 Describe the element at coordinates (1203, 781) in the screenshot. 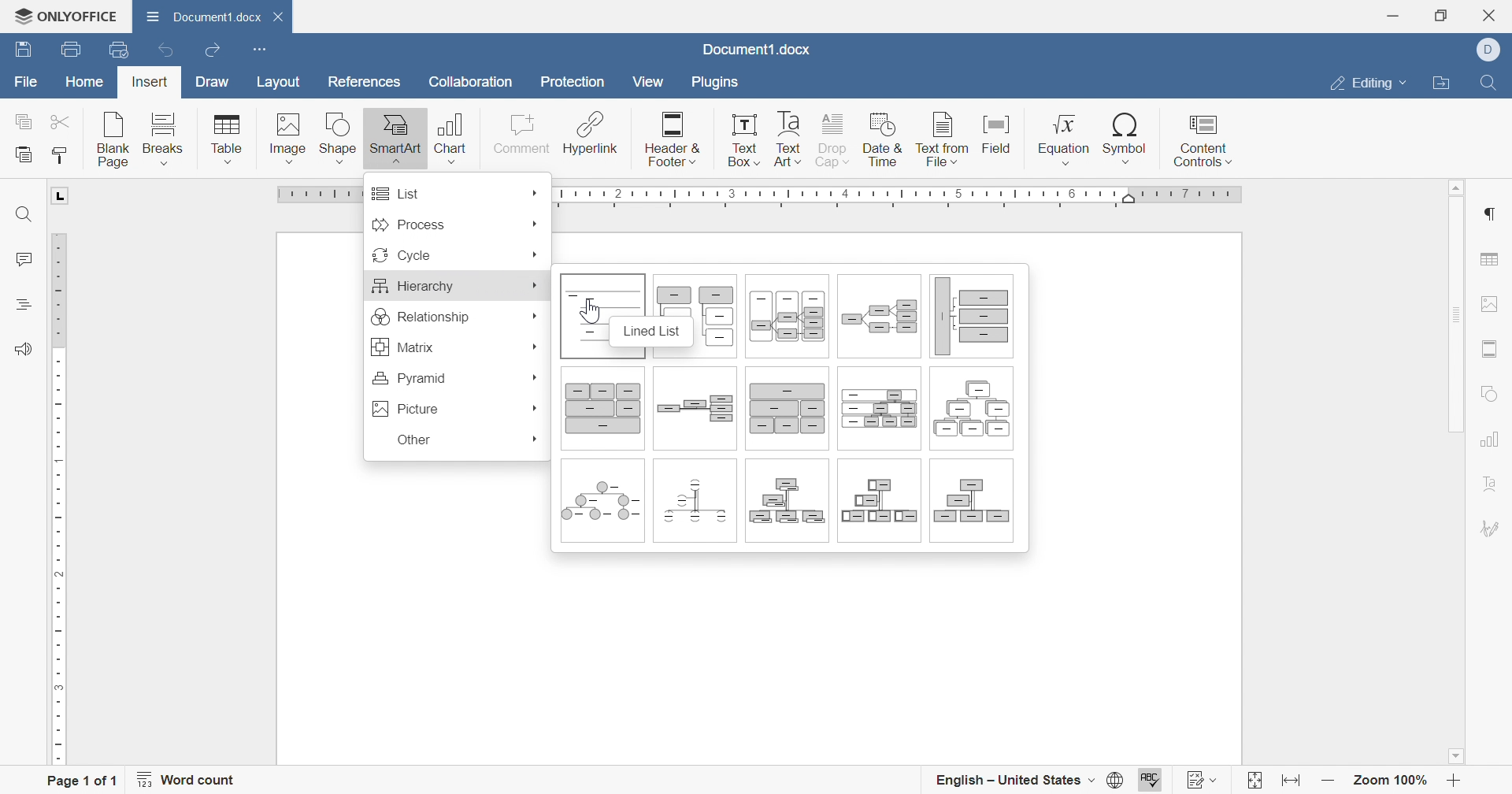

I see `Track changes` at that location.